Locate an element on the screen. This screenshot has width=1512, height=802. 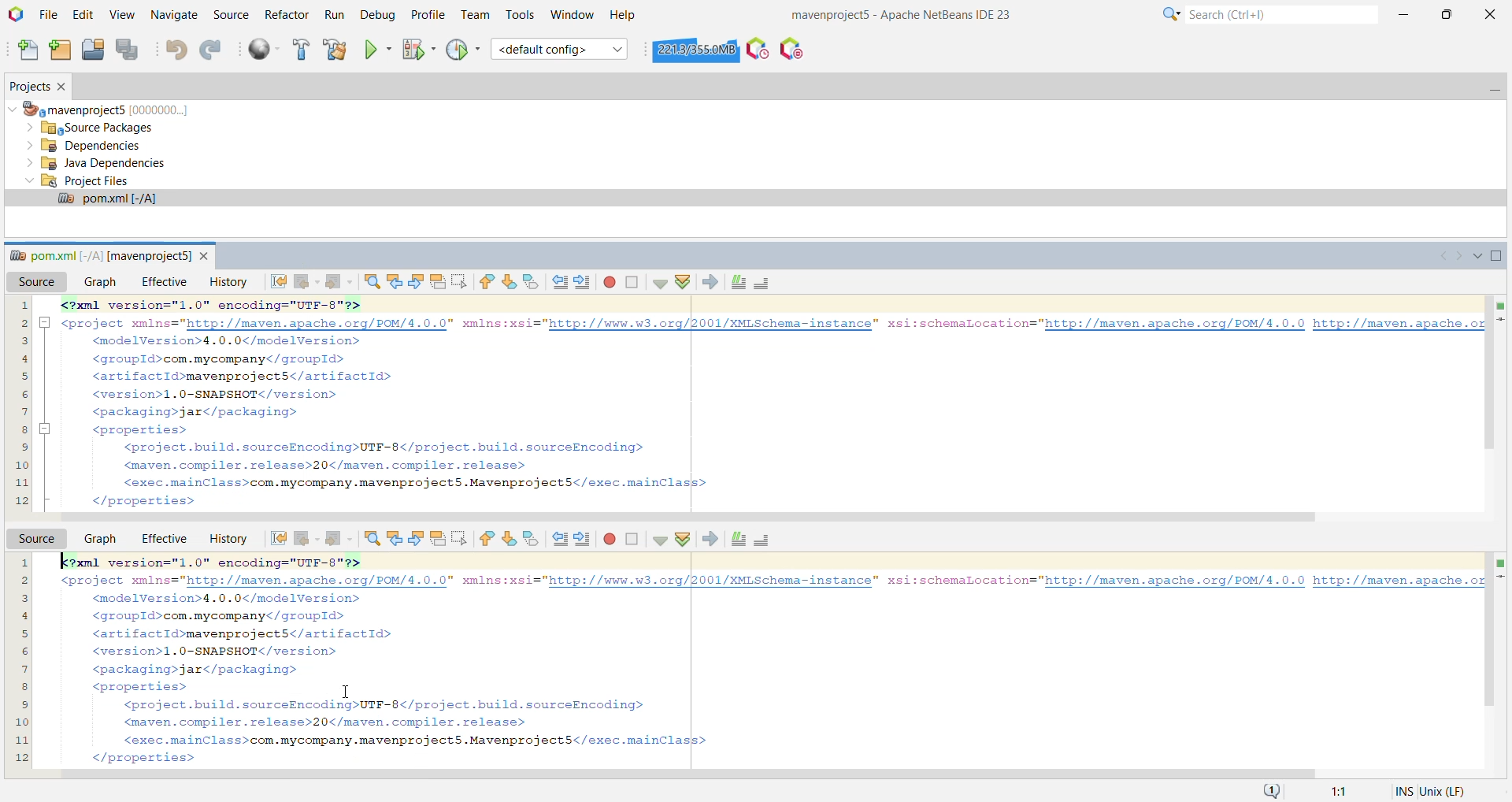
Redo is located at coordinates (213, 50).